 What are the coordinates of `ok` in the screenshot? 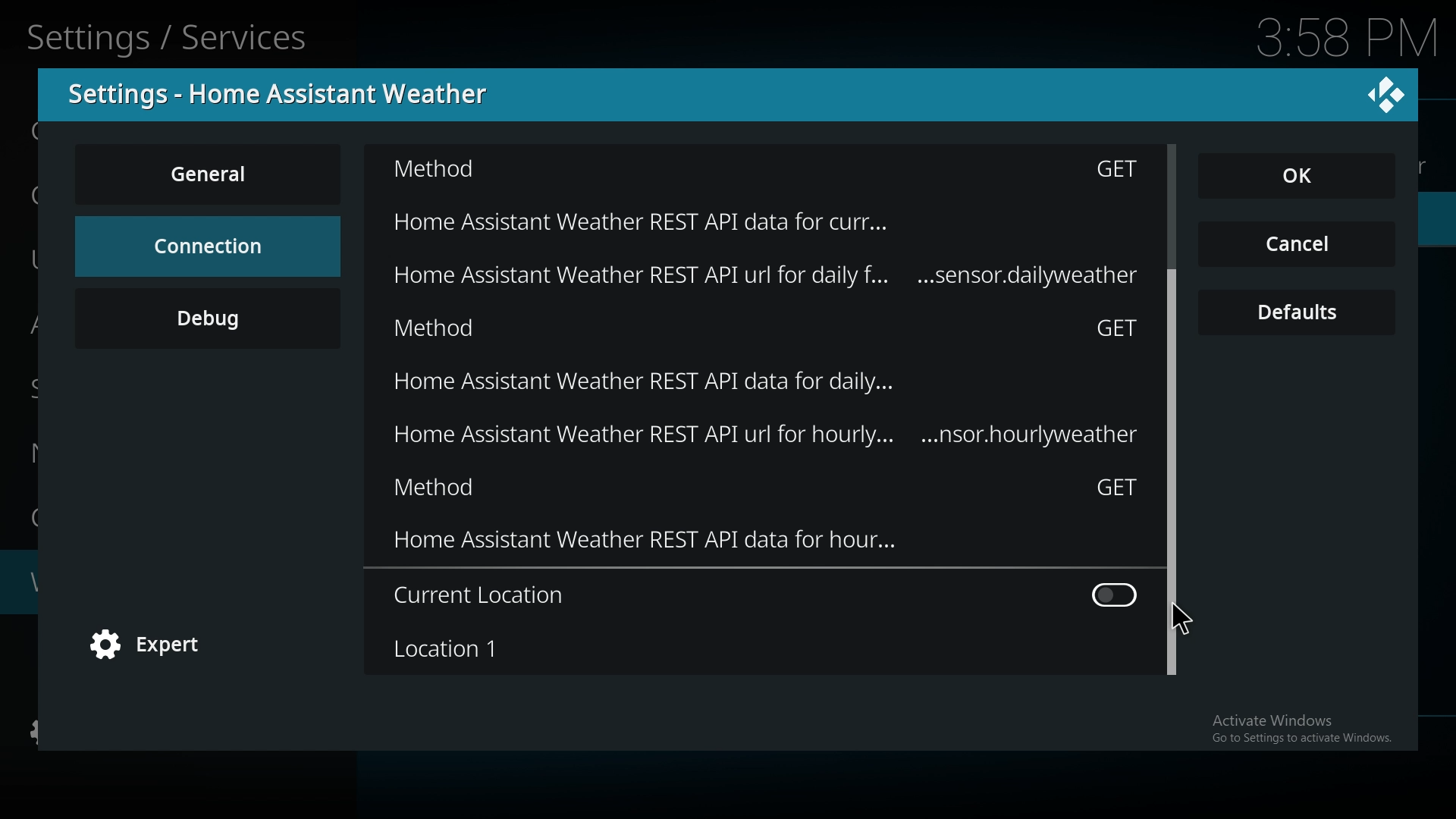 It's located at (1306, 177).